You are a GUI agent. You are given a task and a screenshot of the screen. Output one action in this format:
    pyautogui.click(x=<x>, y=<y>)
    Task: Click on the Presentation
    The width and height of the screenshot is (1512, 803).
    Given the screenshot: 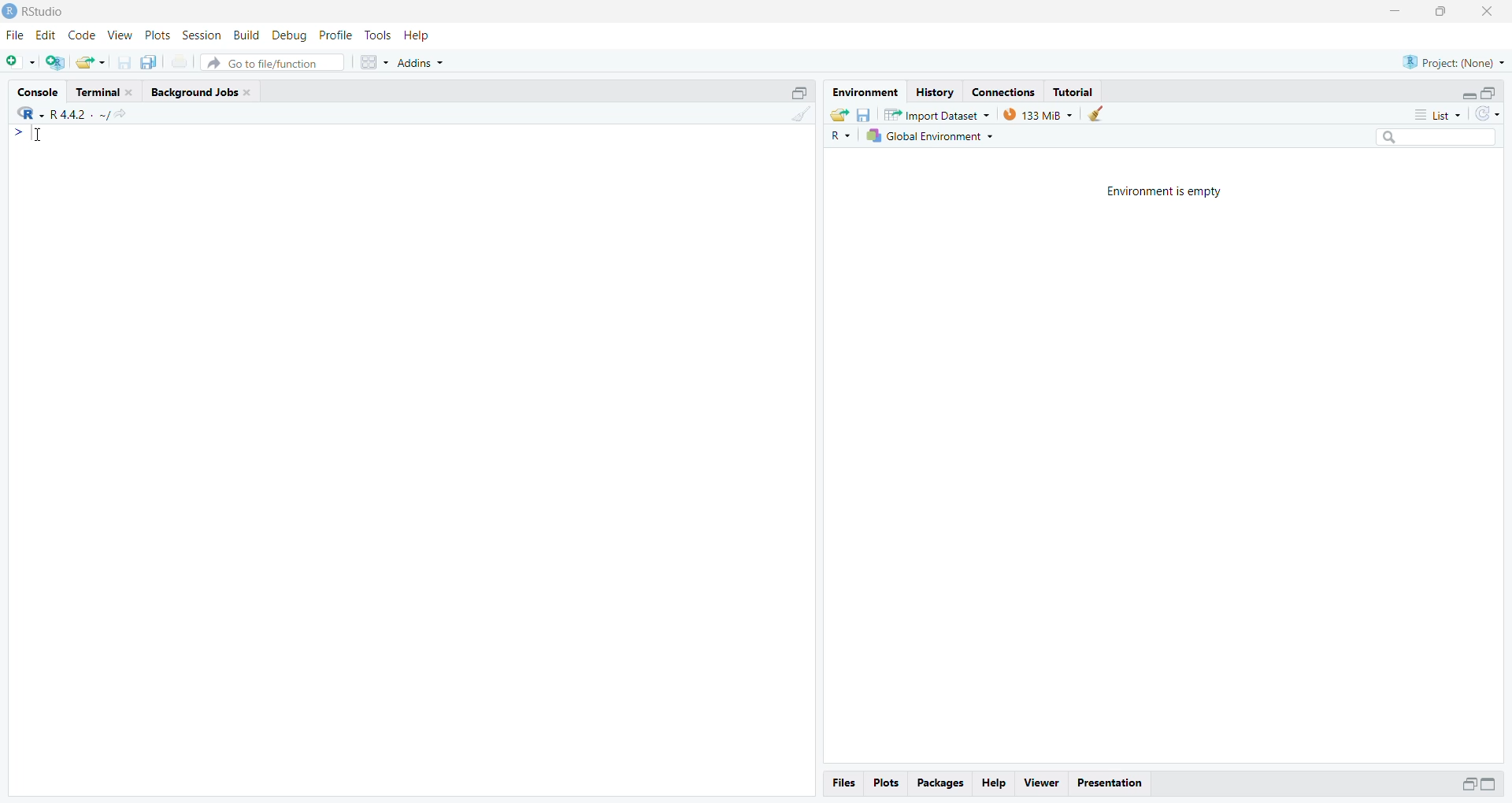 What is the action you would take?
    pyautogui.click(x=1112, y=783)
    